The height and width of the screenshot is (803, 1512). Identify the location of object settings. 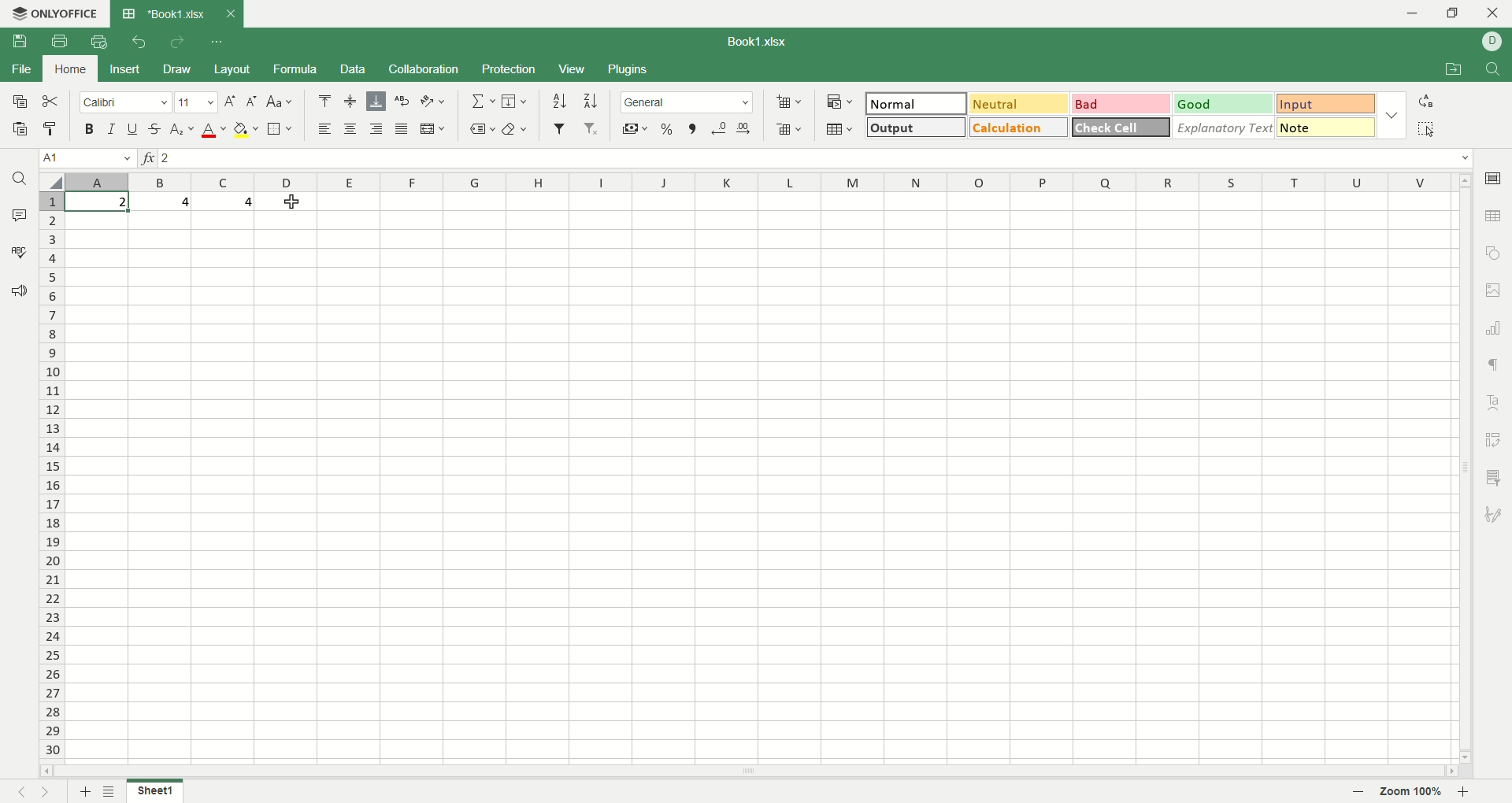
(1494, 253).